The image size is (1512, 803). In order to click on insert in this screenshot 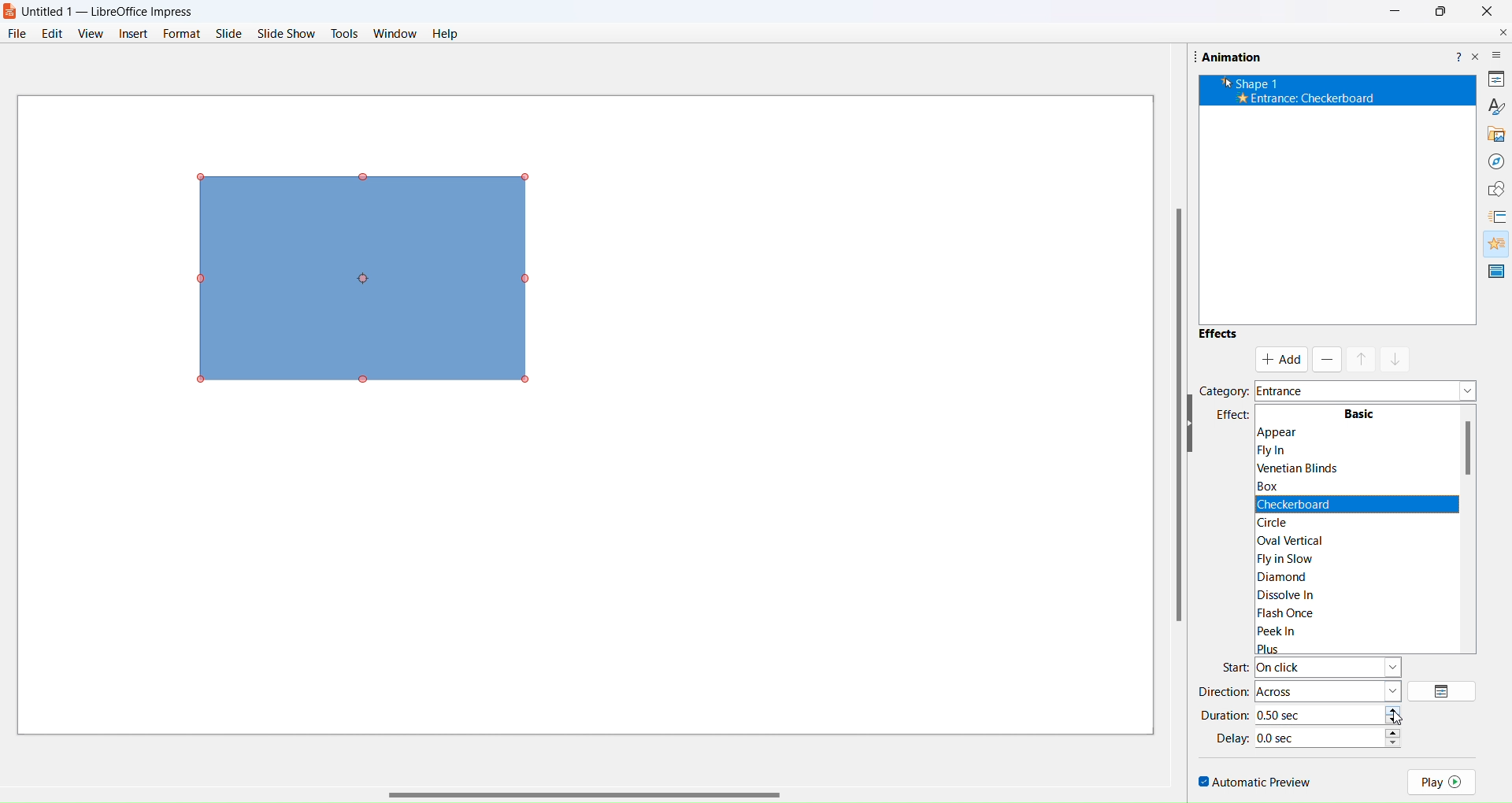, I will do `click(133, 32)`.